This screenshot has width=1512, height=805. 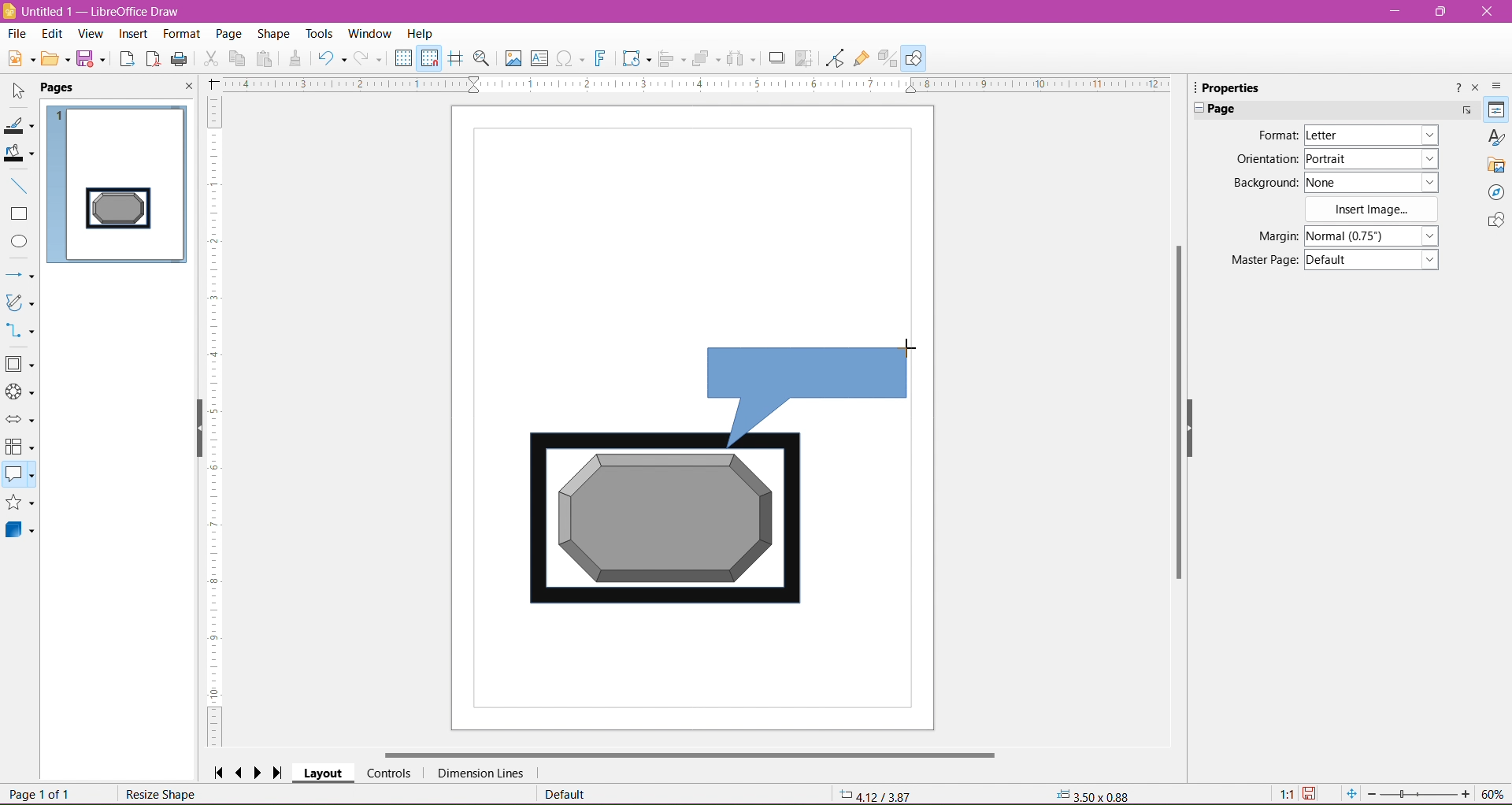 What do you see at coordinates (20, 214) in the screenshot?
I see `Rectangle` at bounding box center [20, 214].